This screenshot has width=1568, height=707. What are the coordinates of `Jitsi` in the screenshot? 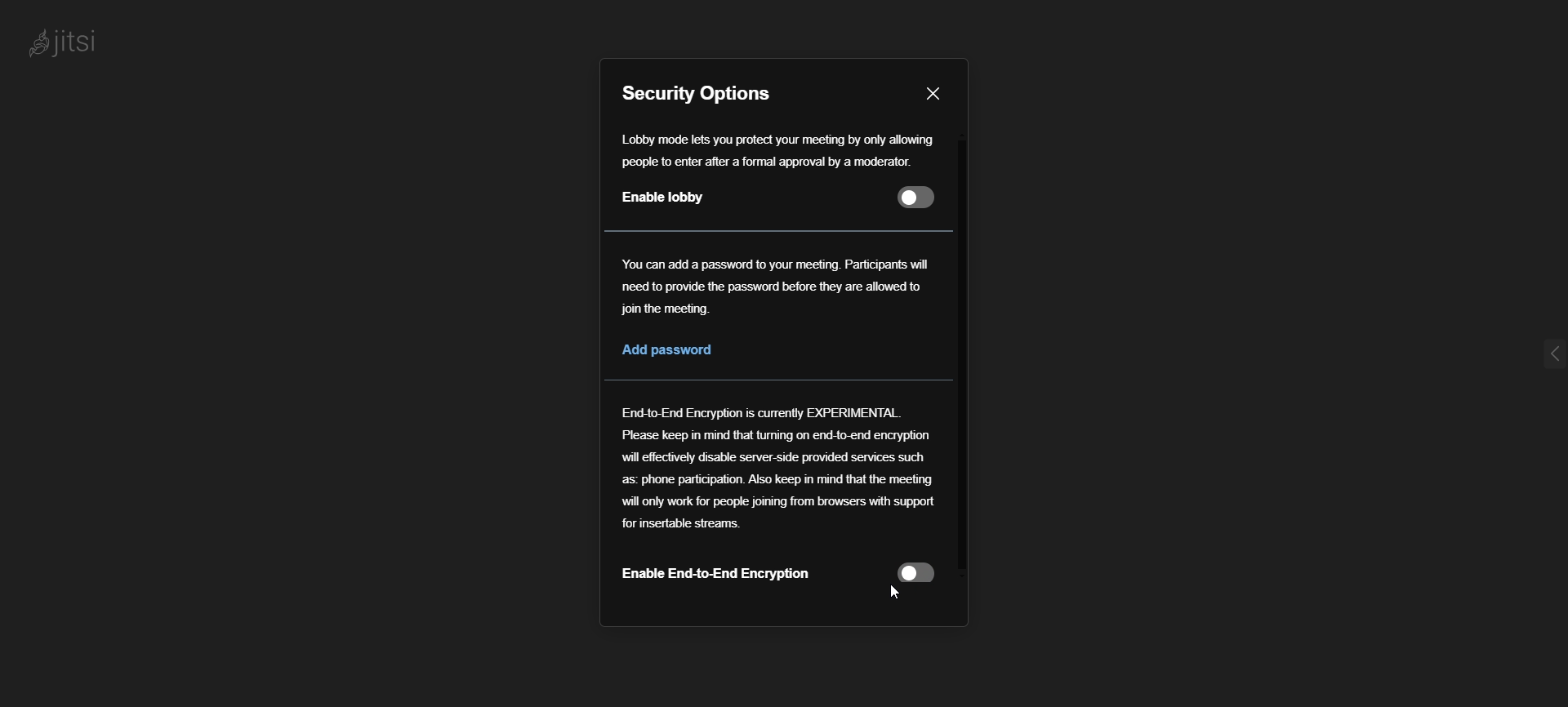 It's located at (73, 42).